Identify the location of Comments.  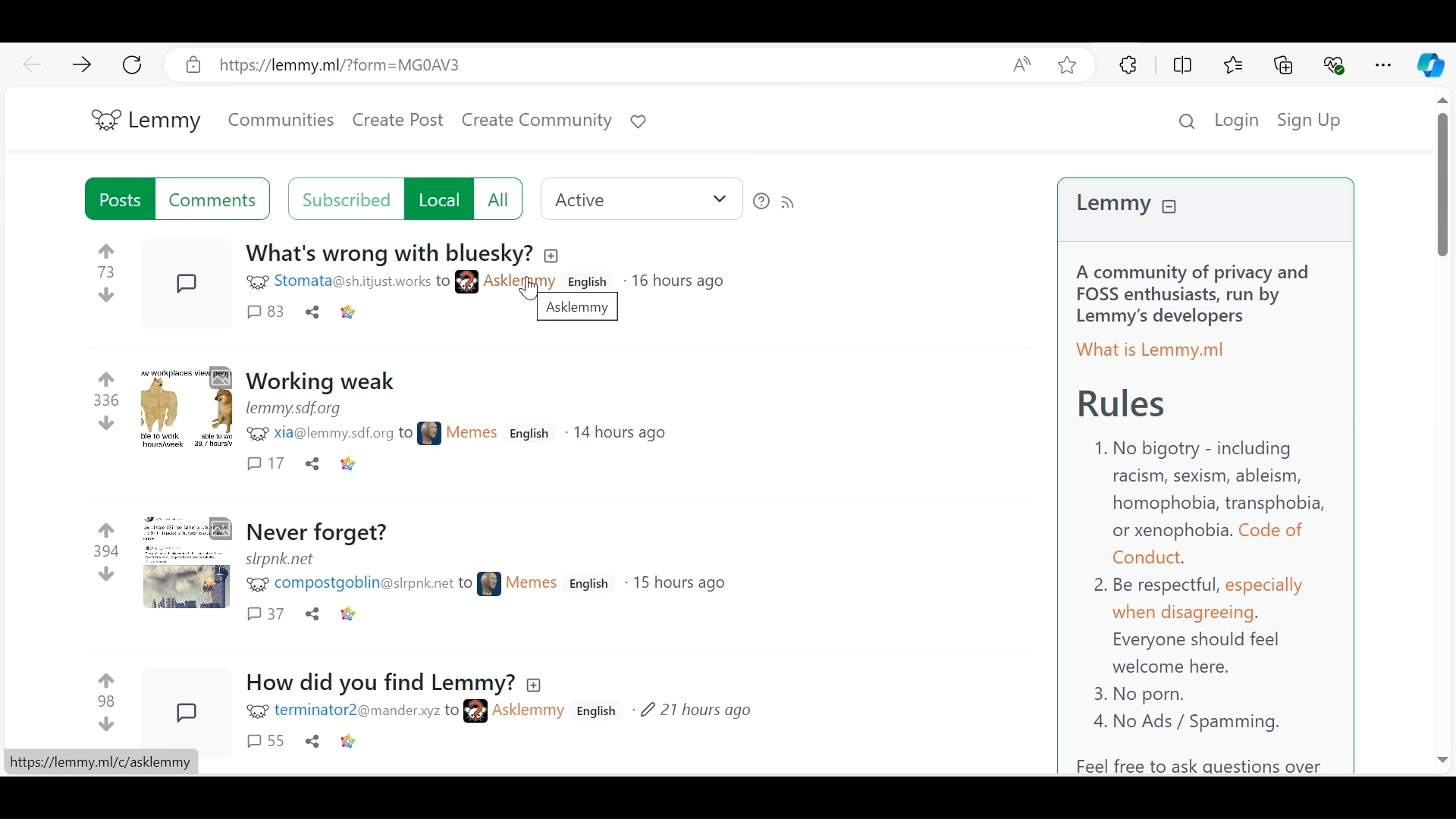
(189, 706).